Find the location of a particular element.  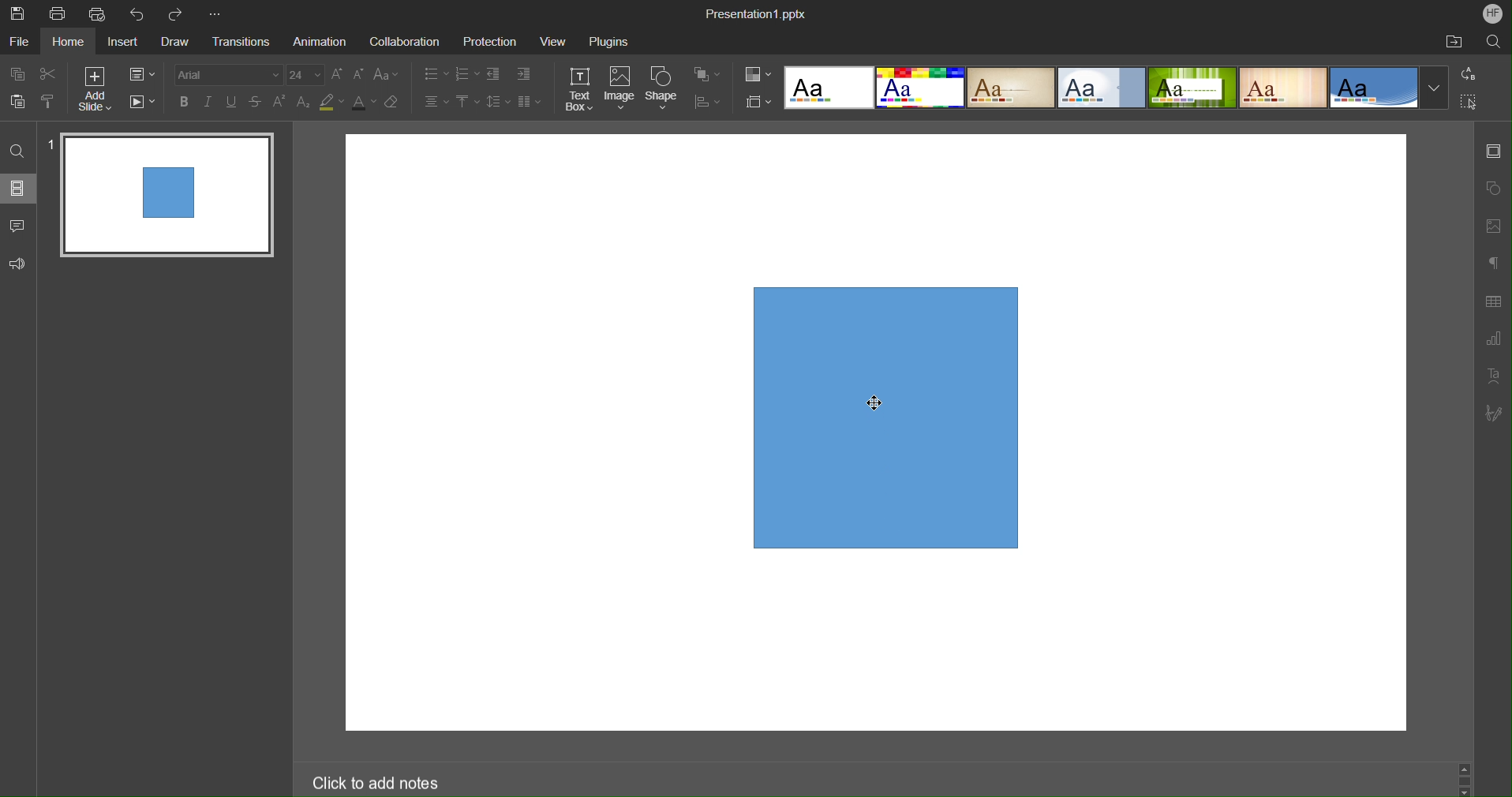

Shape is located at coordinates (886, 420).